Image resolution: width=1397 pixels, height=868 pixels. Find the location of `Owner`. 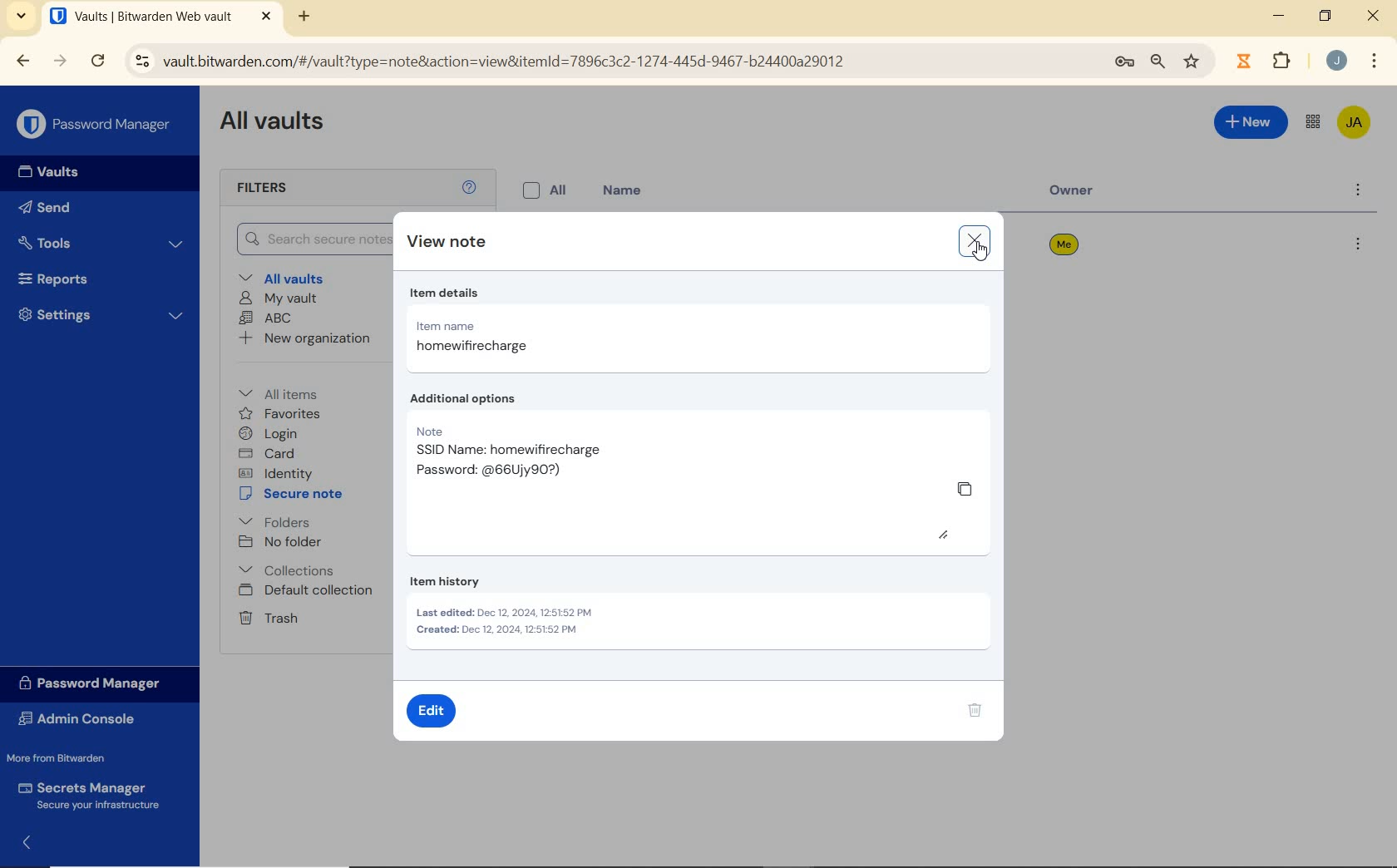

Owner is located at coordinates (1085, 195).